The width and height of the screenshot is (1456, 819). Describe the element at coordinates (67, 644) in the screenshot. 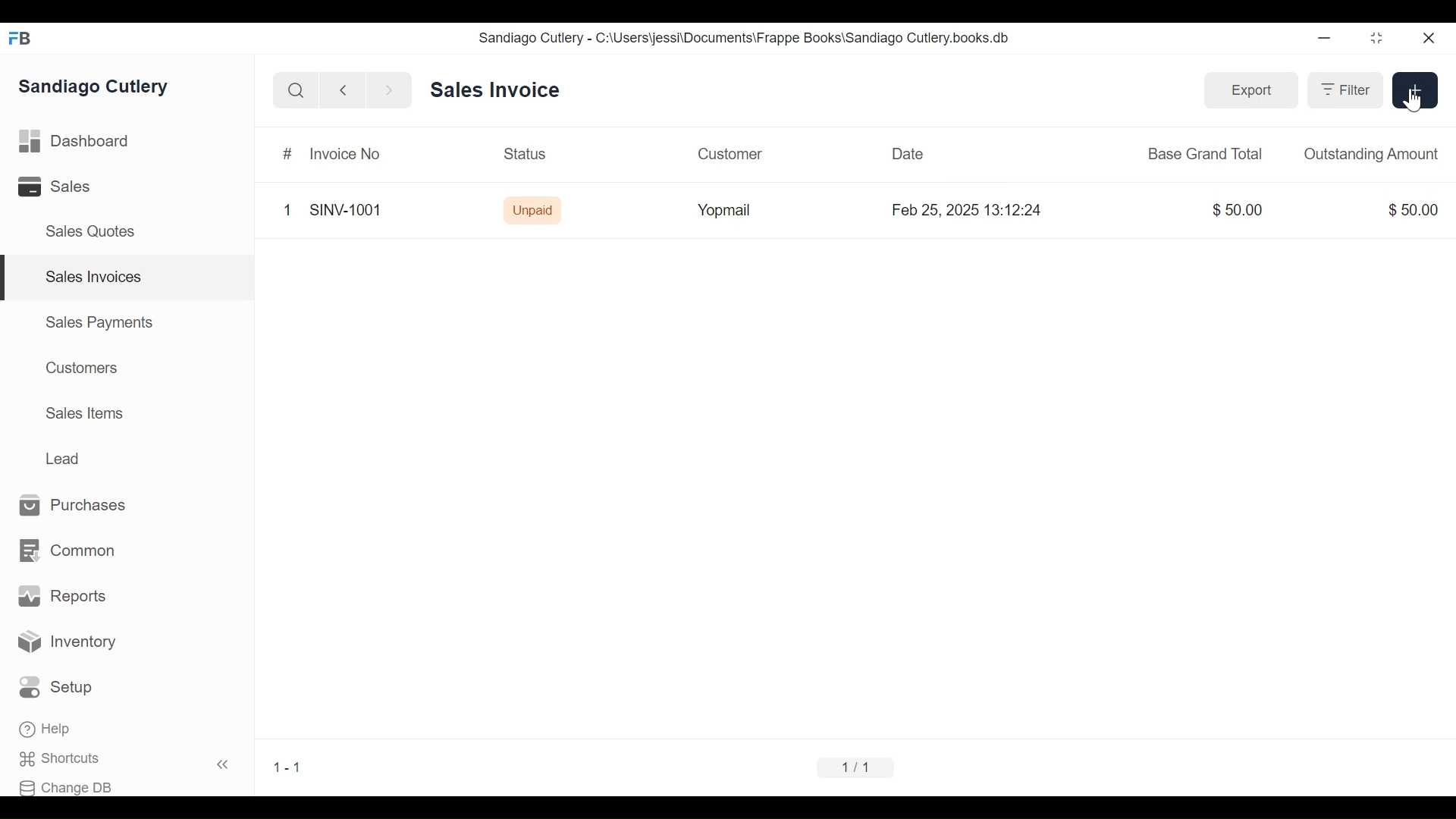

I see `Inventory` at that location.